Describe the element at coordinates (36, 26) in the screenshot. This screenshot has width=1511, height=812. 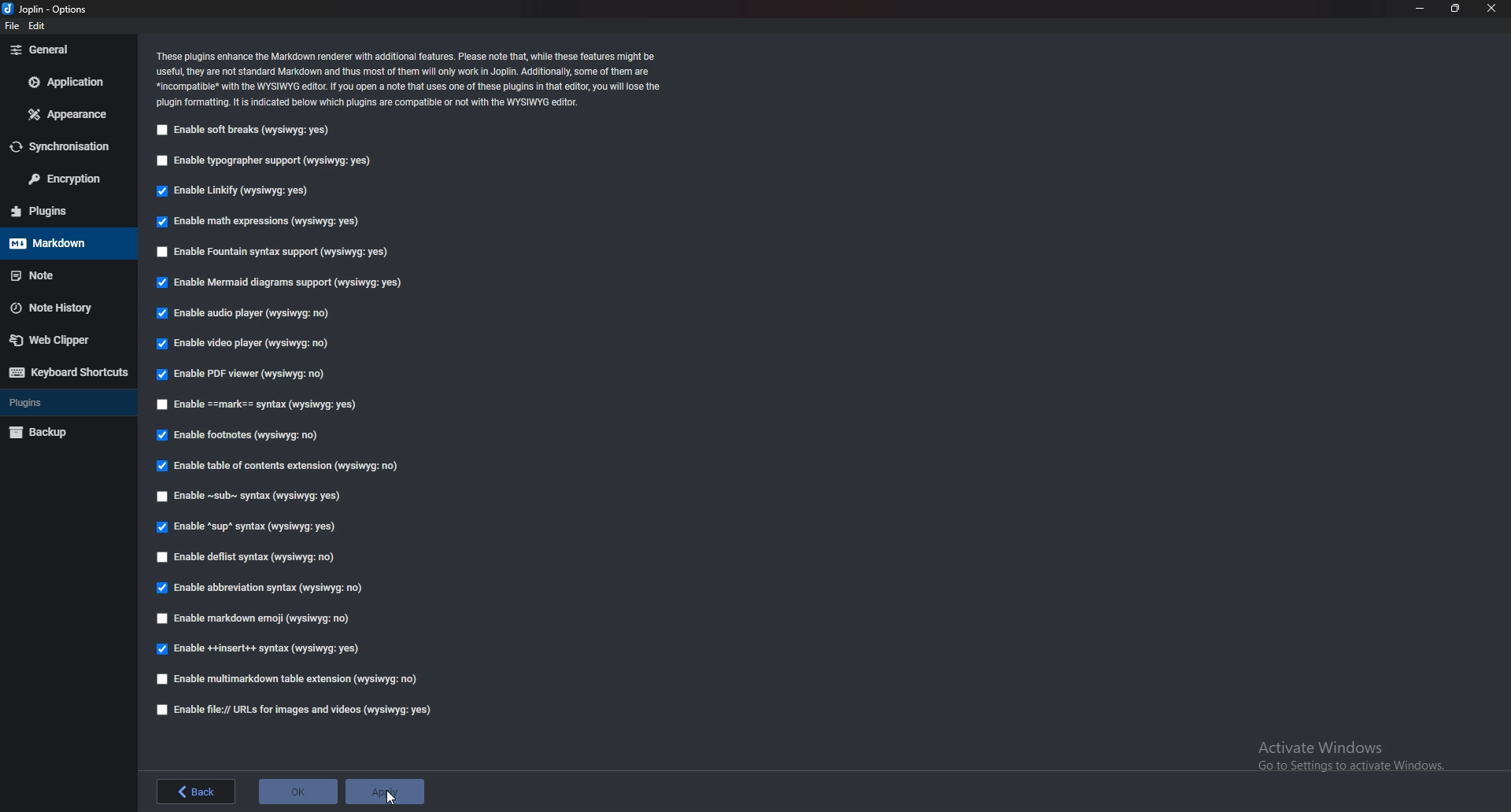
I see `edit` at that location.